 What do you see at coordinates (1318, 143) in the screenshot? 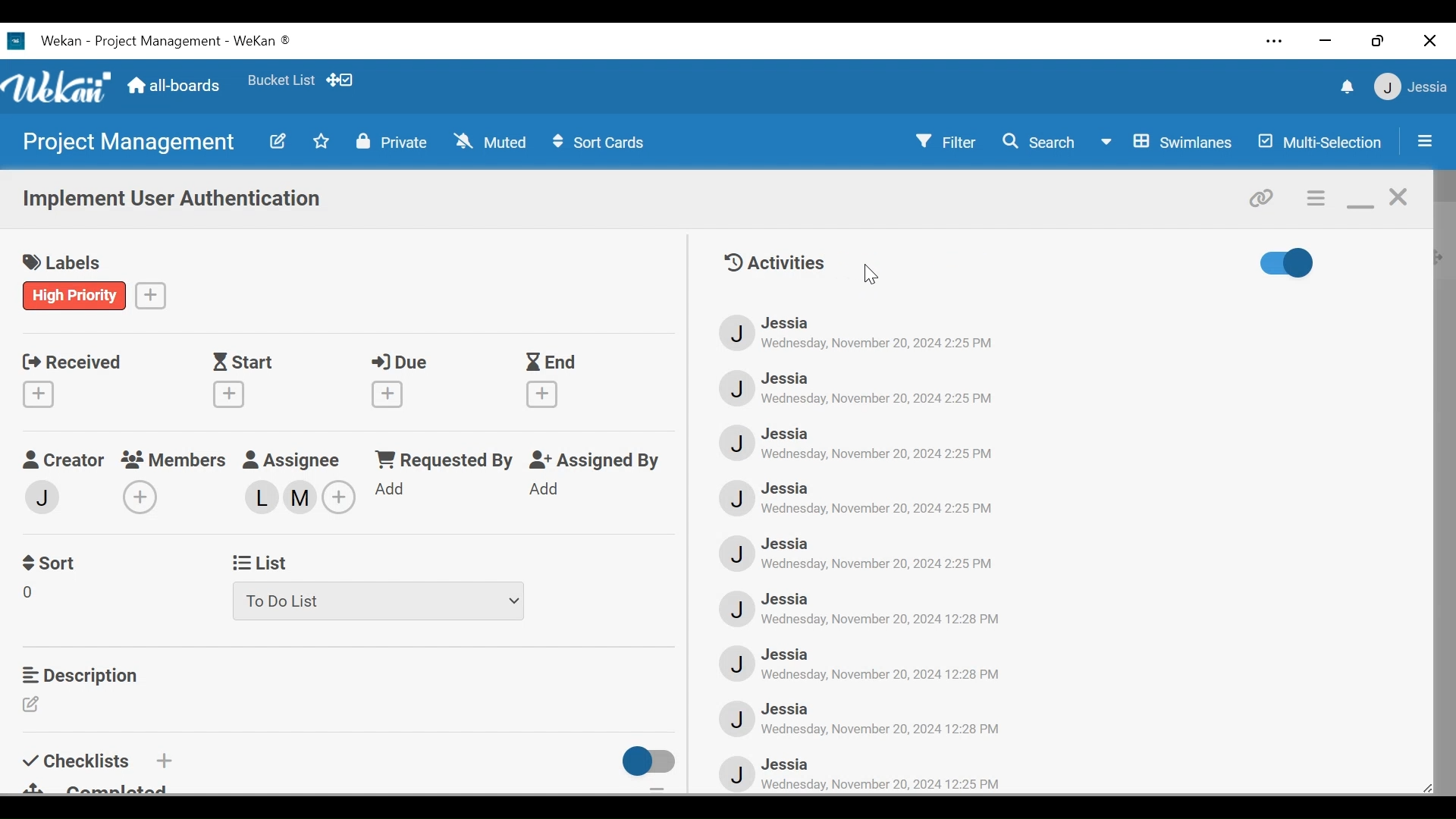
I see `Multi-Selection` at bounding box center [1318, 143].